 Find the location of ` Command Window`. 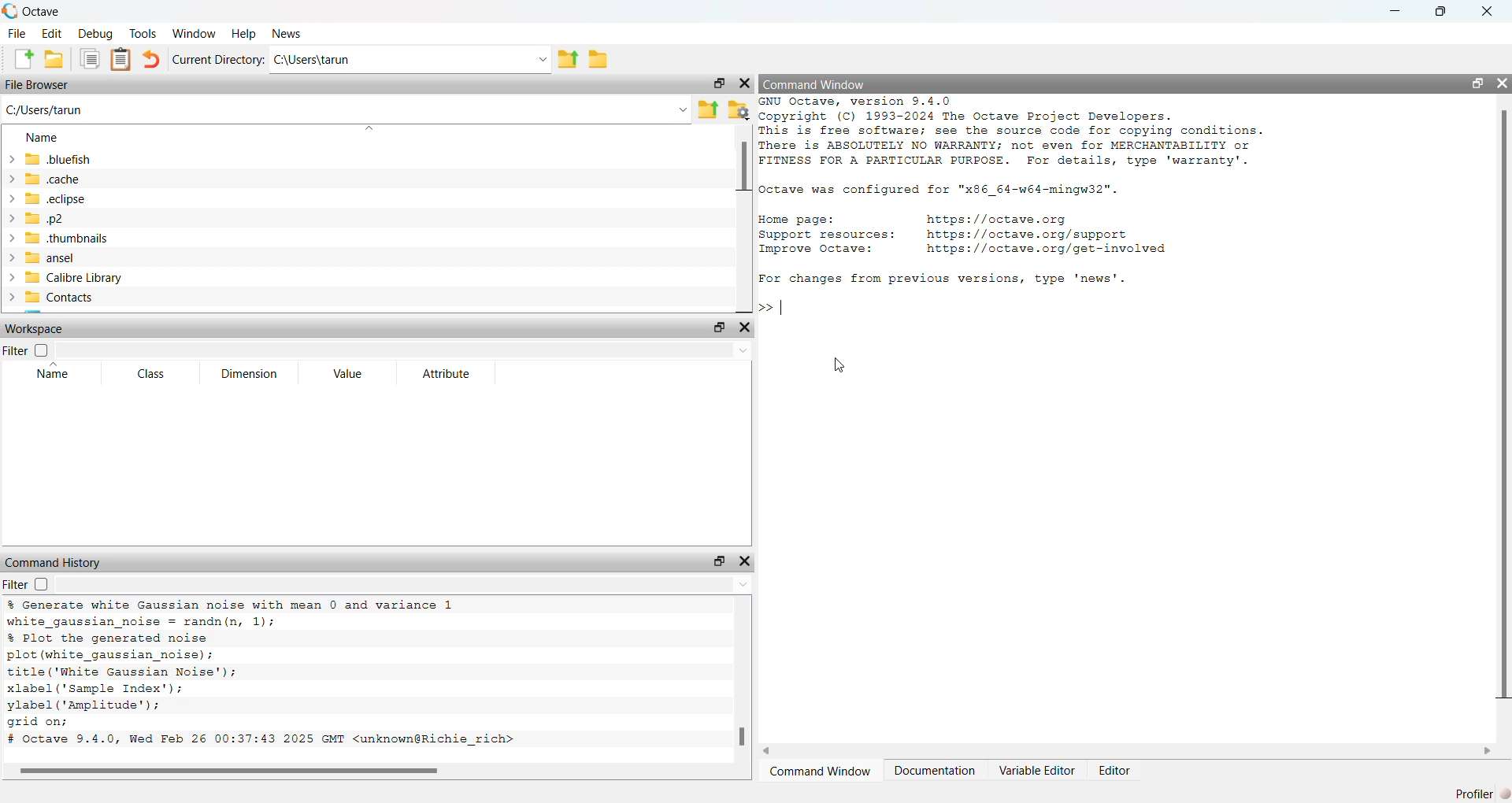

 Command Window is located at coordinates (821, 771).